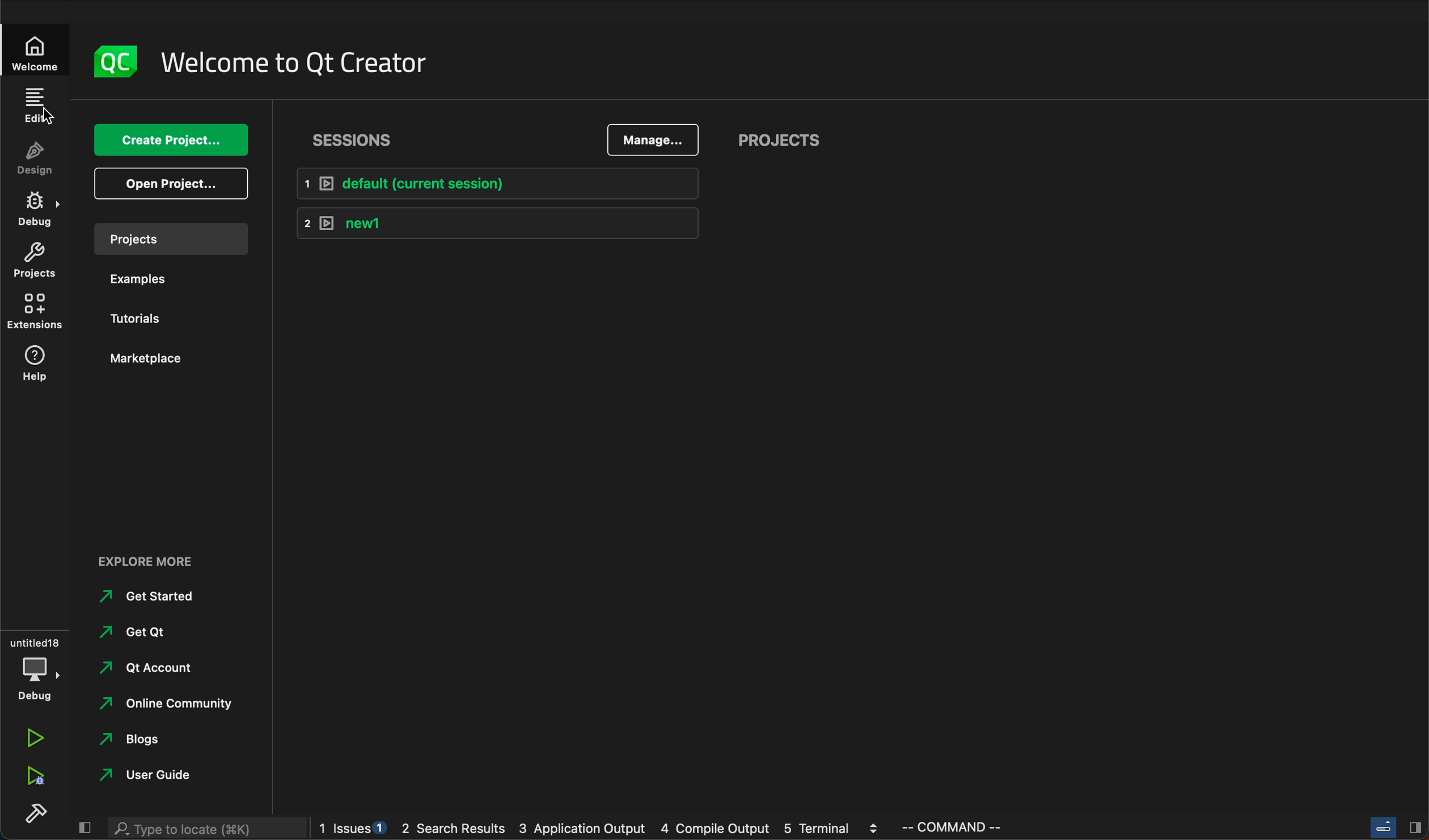  I want to click on welcome to qt, so click(295, 62).